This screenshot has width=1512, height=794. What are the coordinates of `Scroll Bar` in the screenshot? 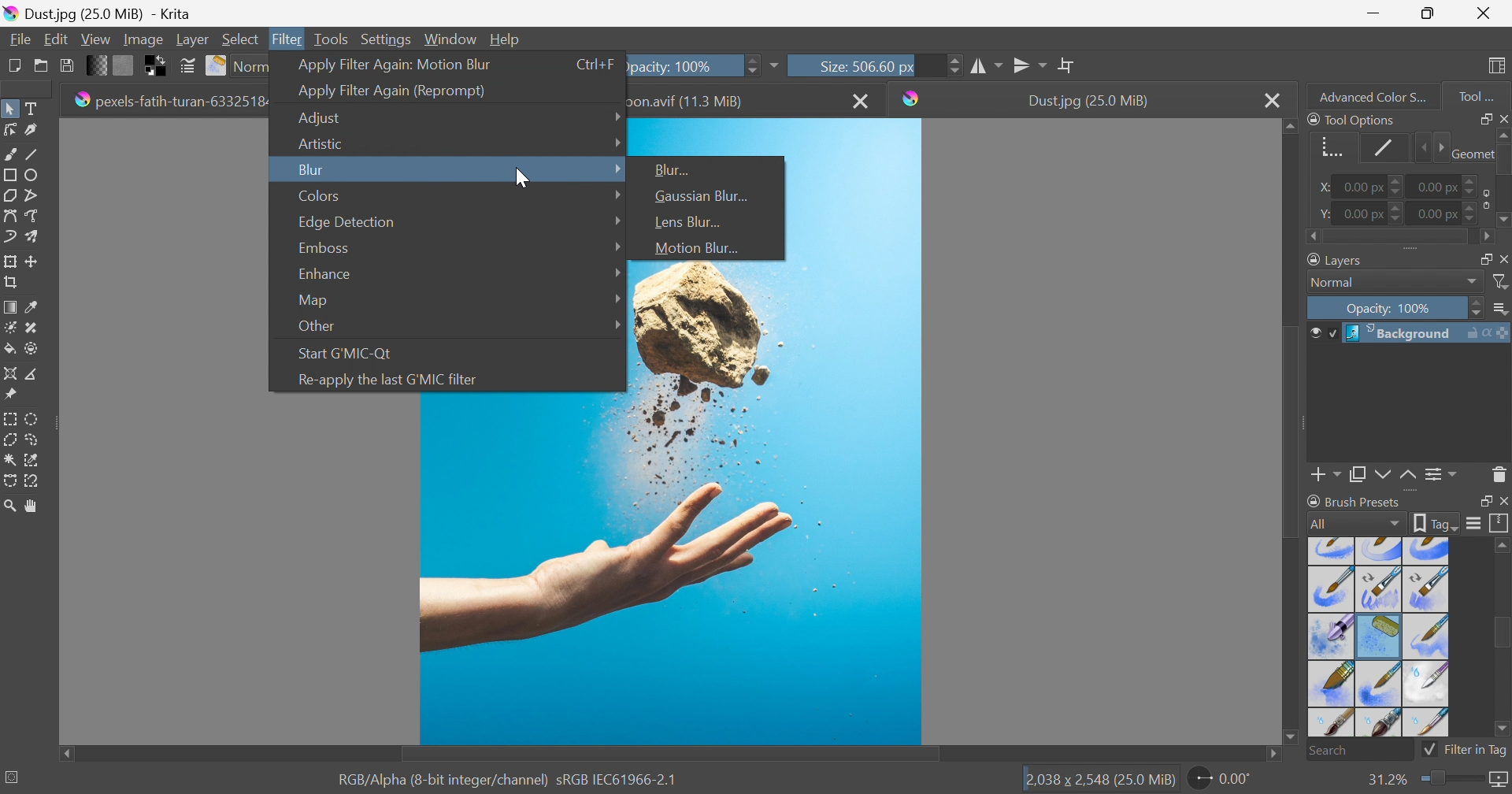 It's located at (1502, 635).